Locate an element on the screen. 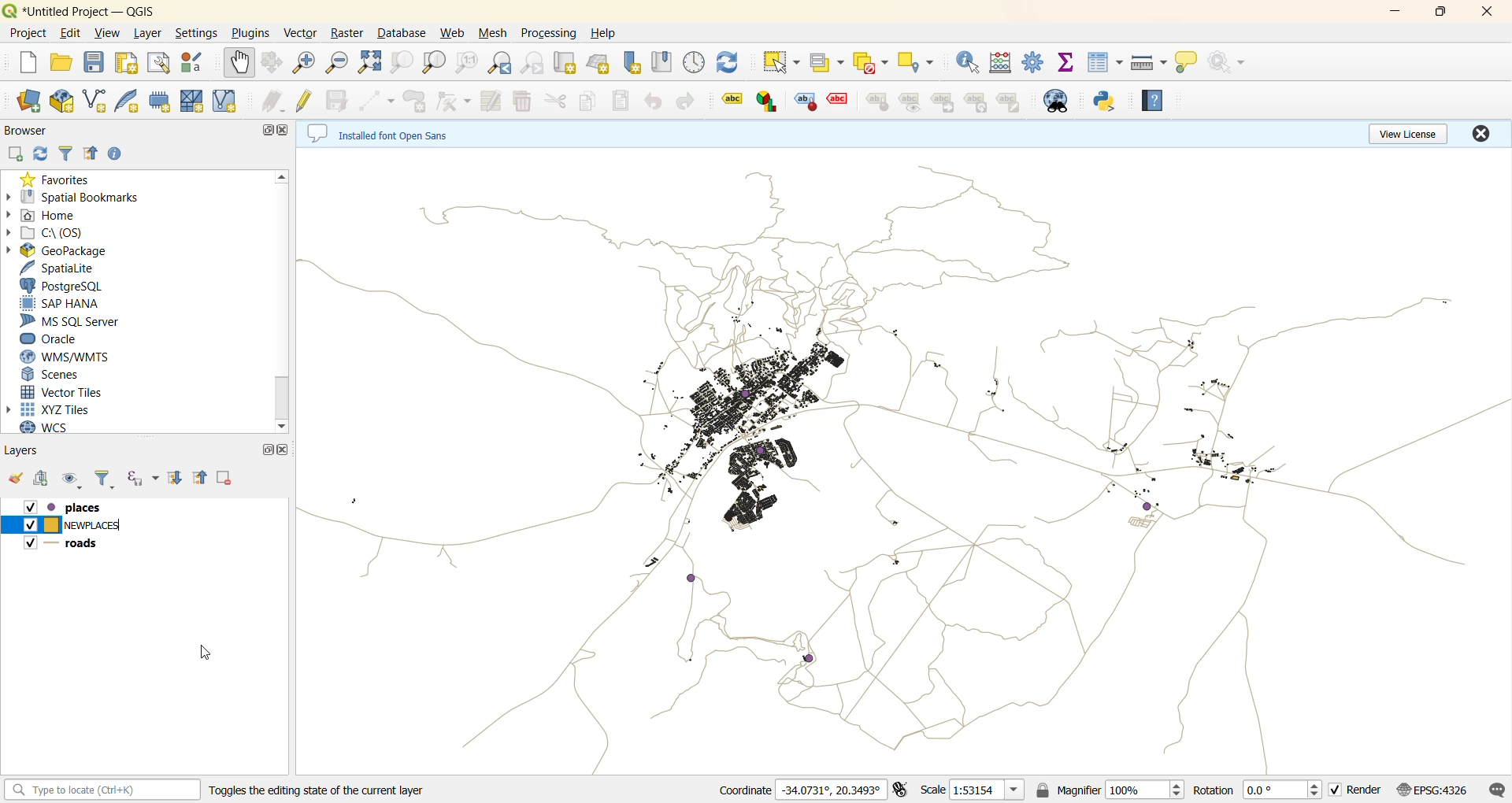  no action is located at coordinates (1231, 64).